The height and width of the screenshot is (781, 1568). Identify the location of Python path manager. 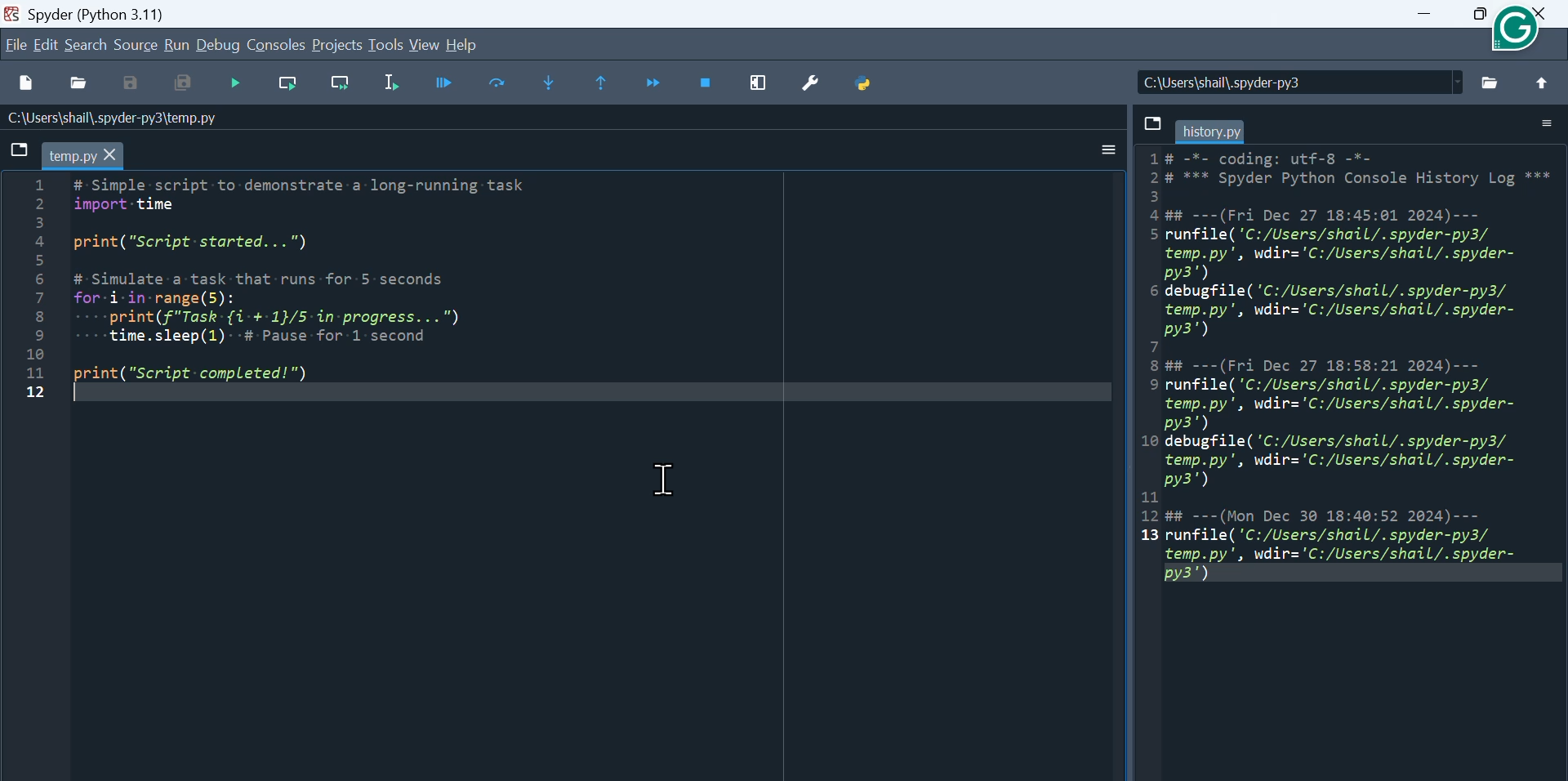
(865, 83).